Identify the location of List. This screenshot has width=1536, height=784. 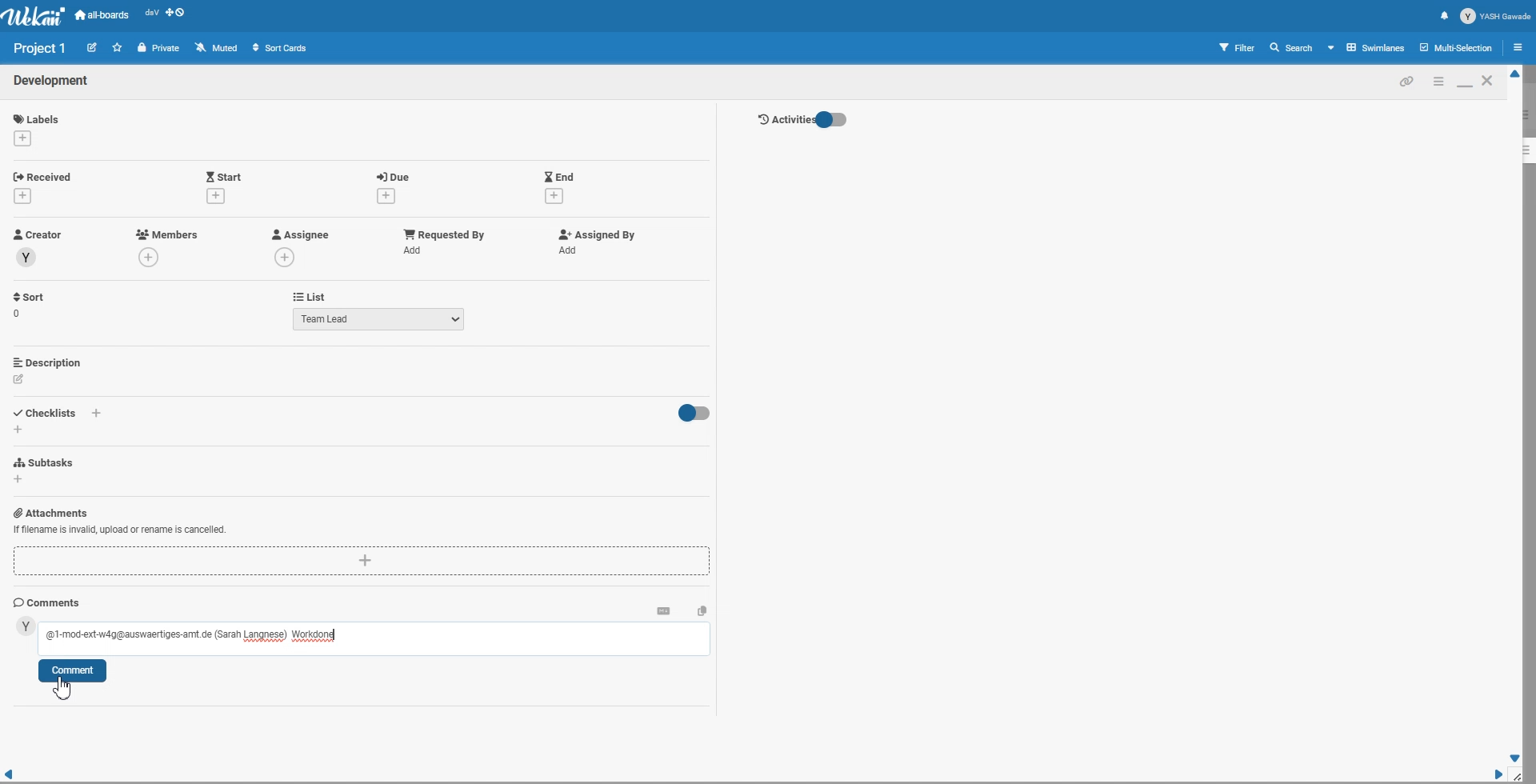
(309, 296).